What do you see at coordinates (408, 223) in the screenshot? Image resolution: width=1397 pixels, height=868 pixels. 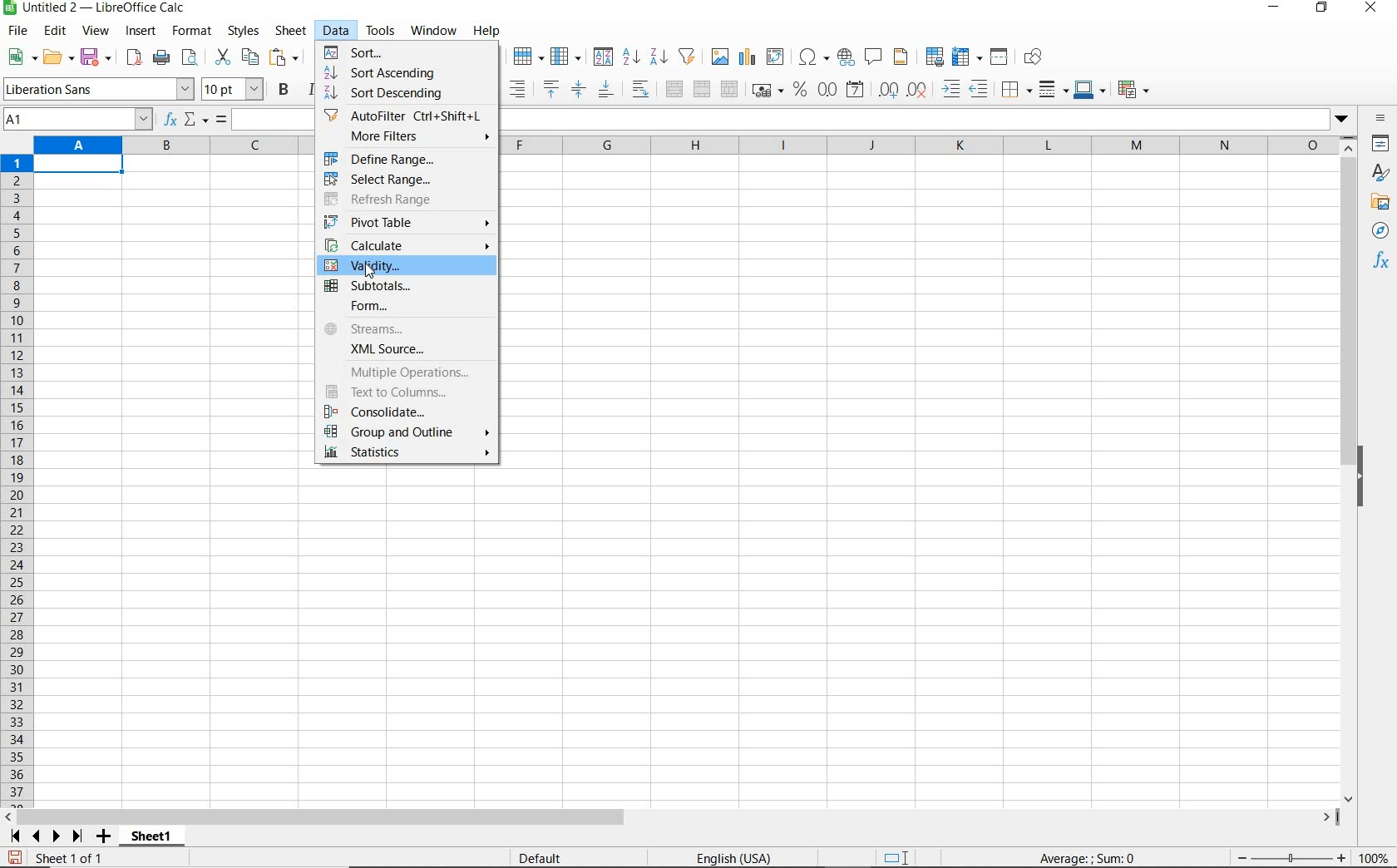 I see `pivot table` at bounding box center [408, 223].